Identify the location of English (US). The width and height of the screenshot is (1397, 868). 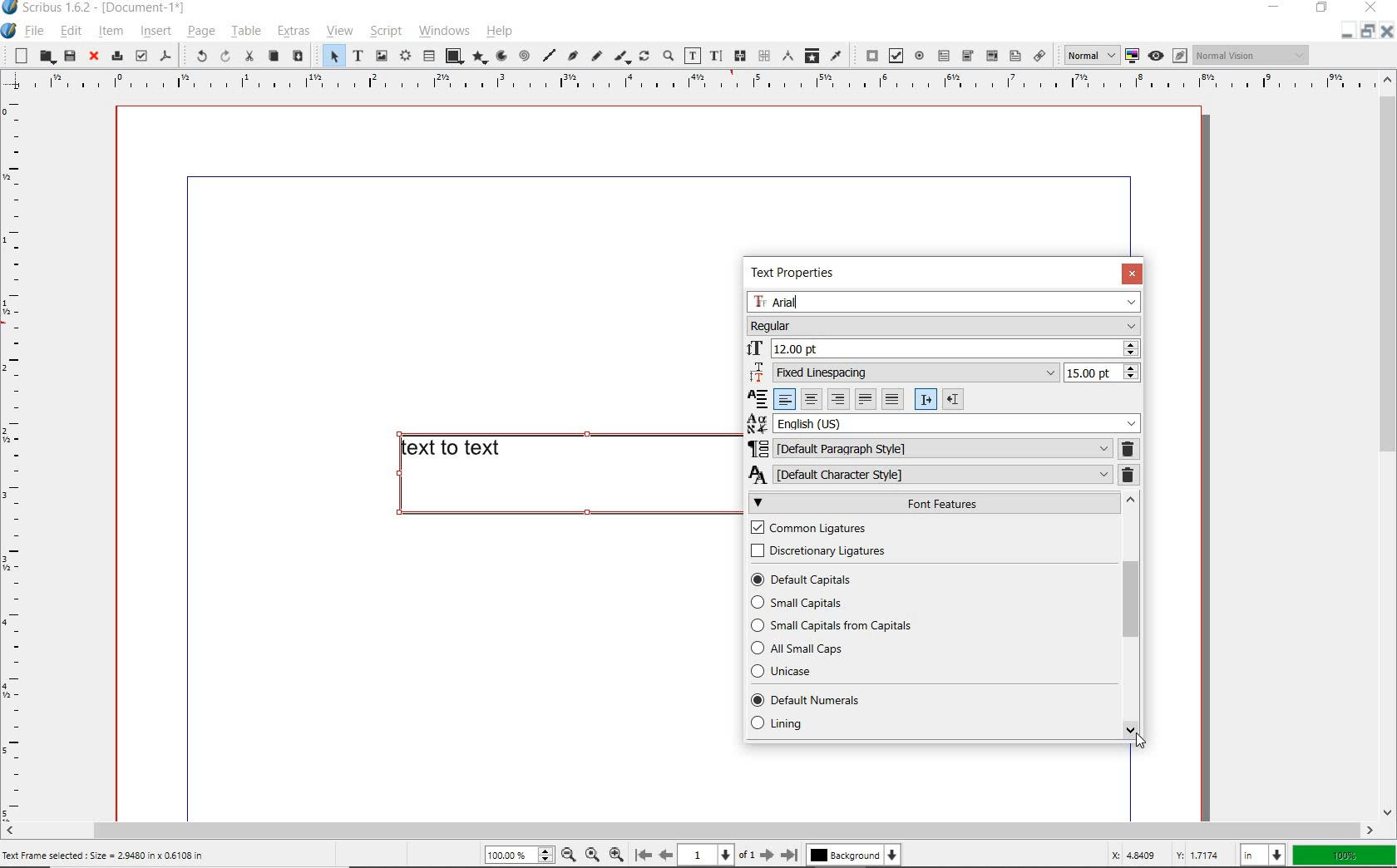
(940, 424).